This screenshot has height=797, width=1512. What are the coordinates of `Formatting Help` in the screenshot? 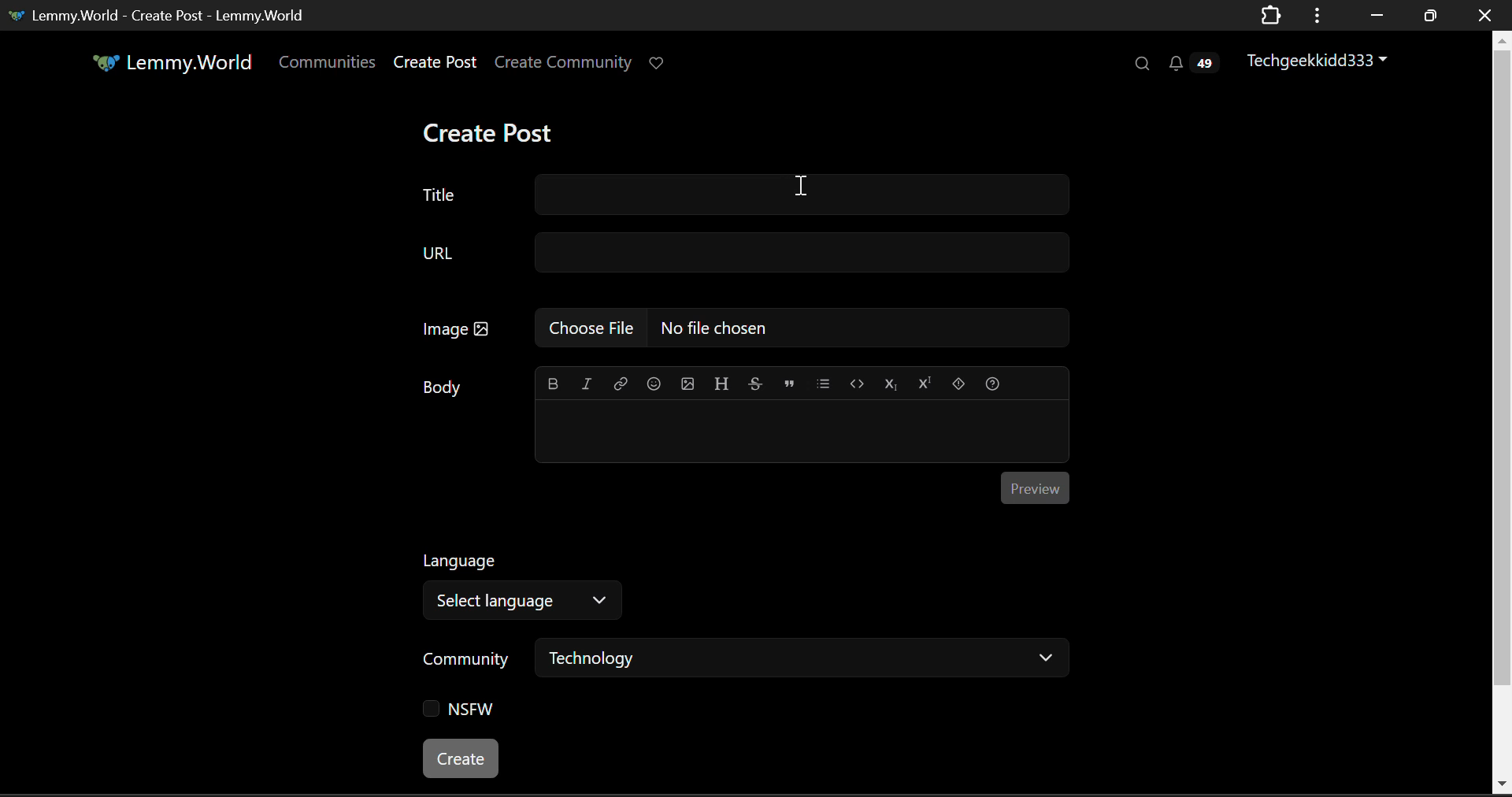 It's located at (993, 384).